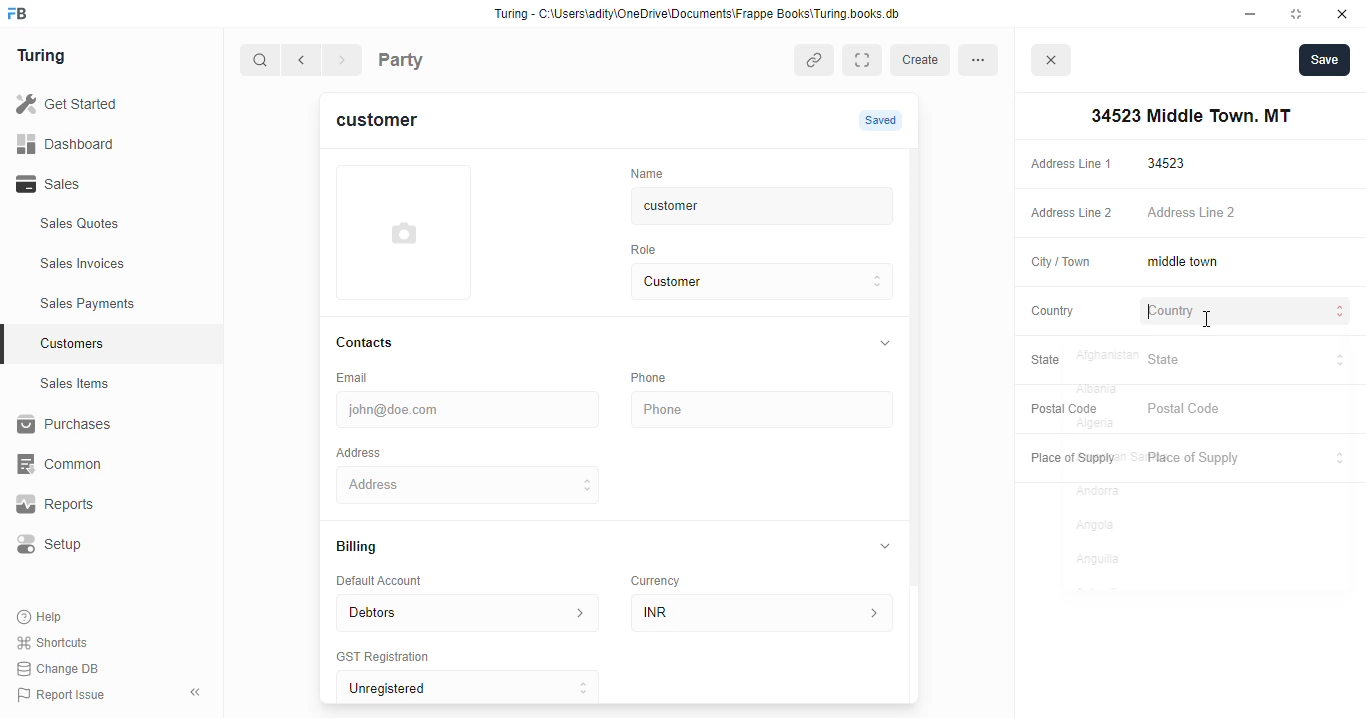  I want to click on create, so click(923, 60).